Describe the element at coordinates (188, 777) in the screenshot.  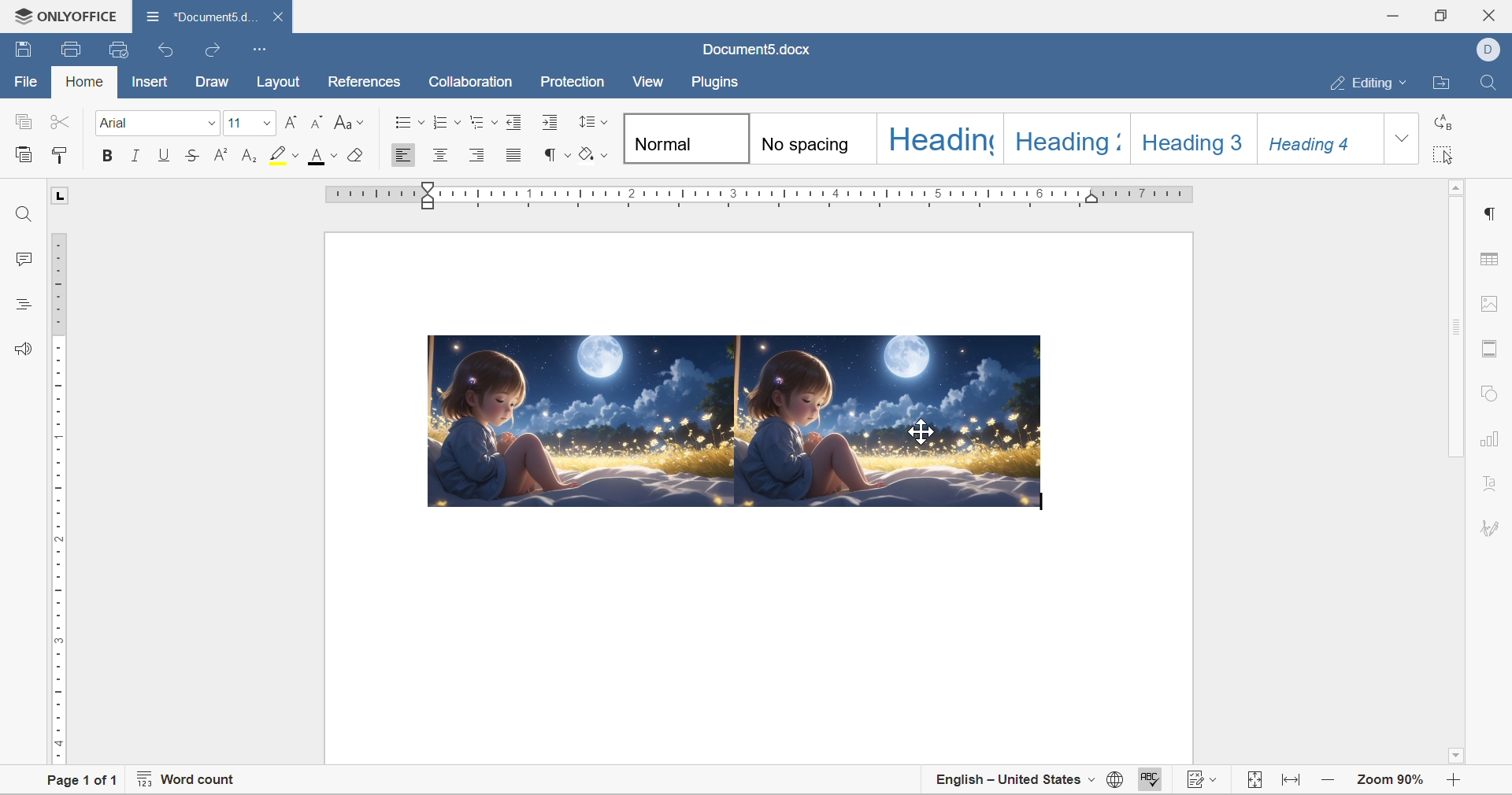
I see `word count` at that location.